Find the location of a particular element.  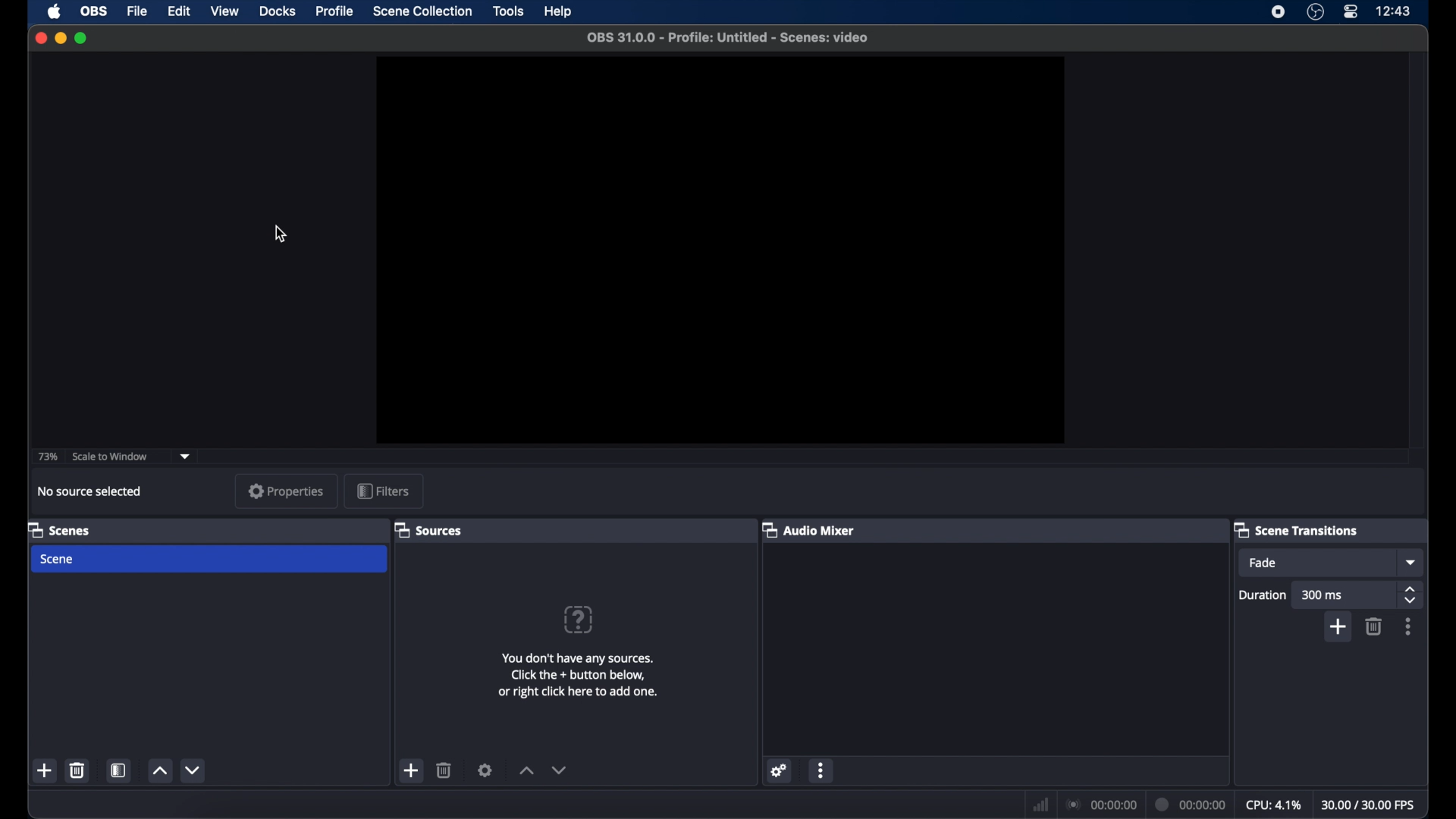

decrement is located at coordinates (194, 770).